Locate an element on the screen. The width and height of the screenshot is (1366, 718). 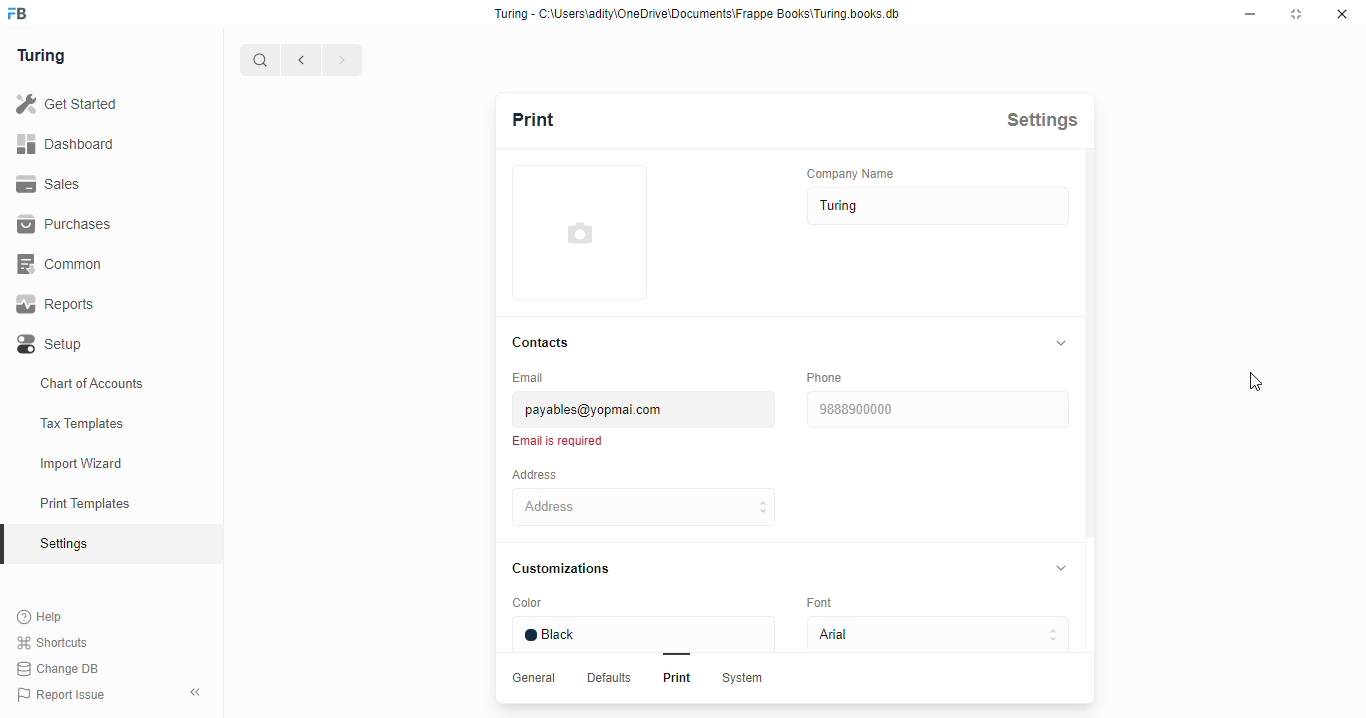
Print is located at coordinates (558, 118).